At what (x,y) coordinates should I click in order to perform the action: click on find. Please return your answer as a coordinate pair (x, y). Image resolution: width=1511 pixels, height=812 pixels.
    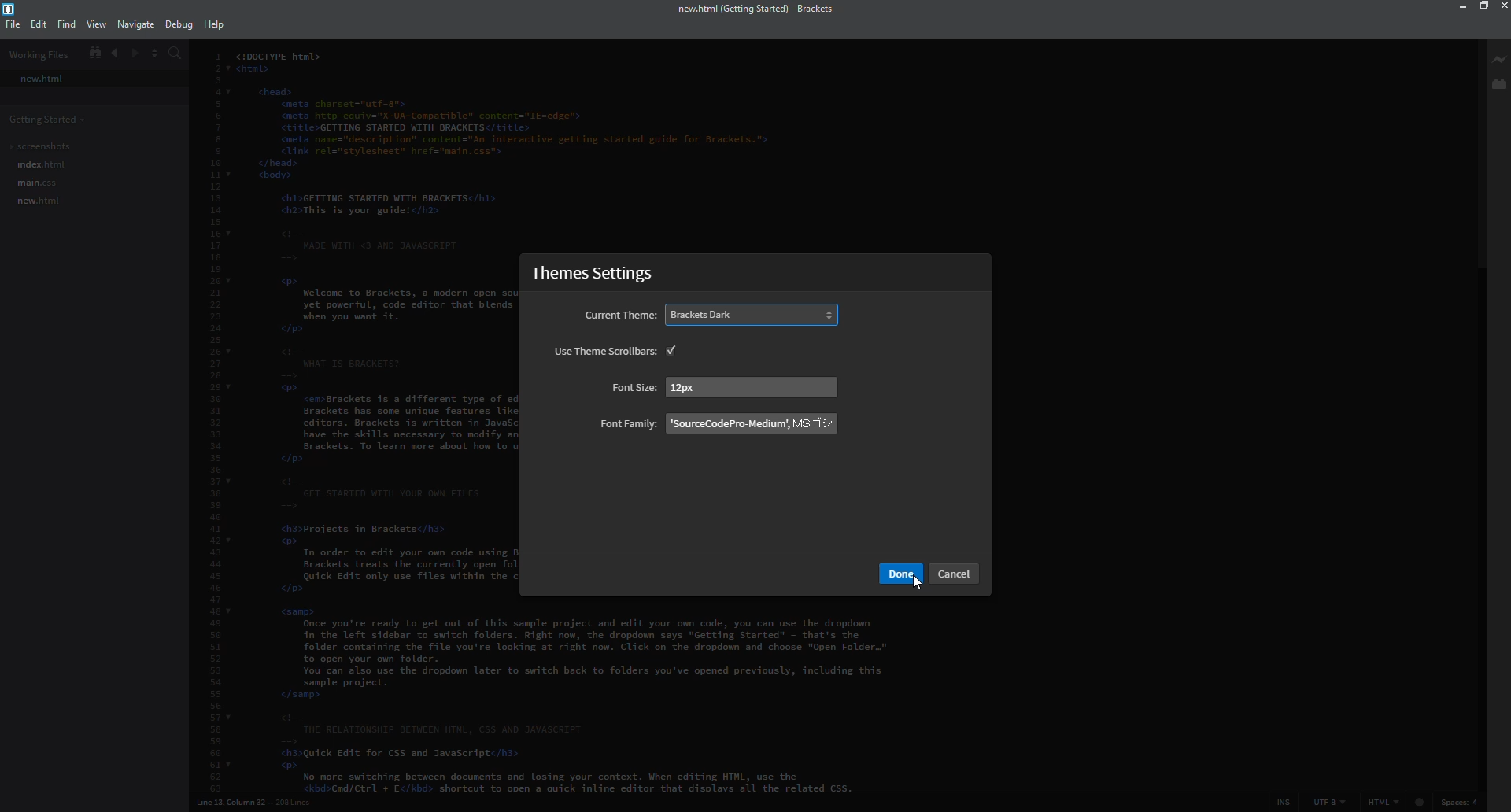
    Looking at the image, I should click on (65, 24).